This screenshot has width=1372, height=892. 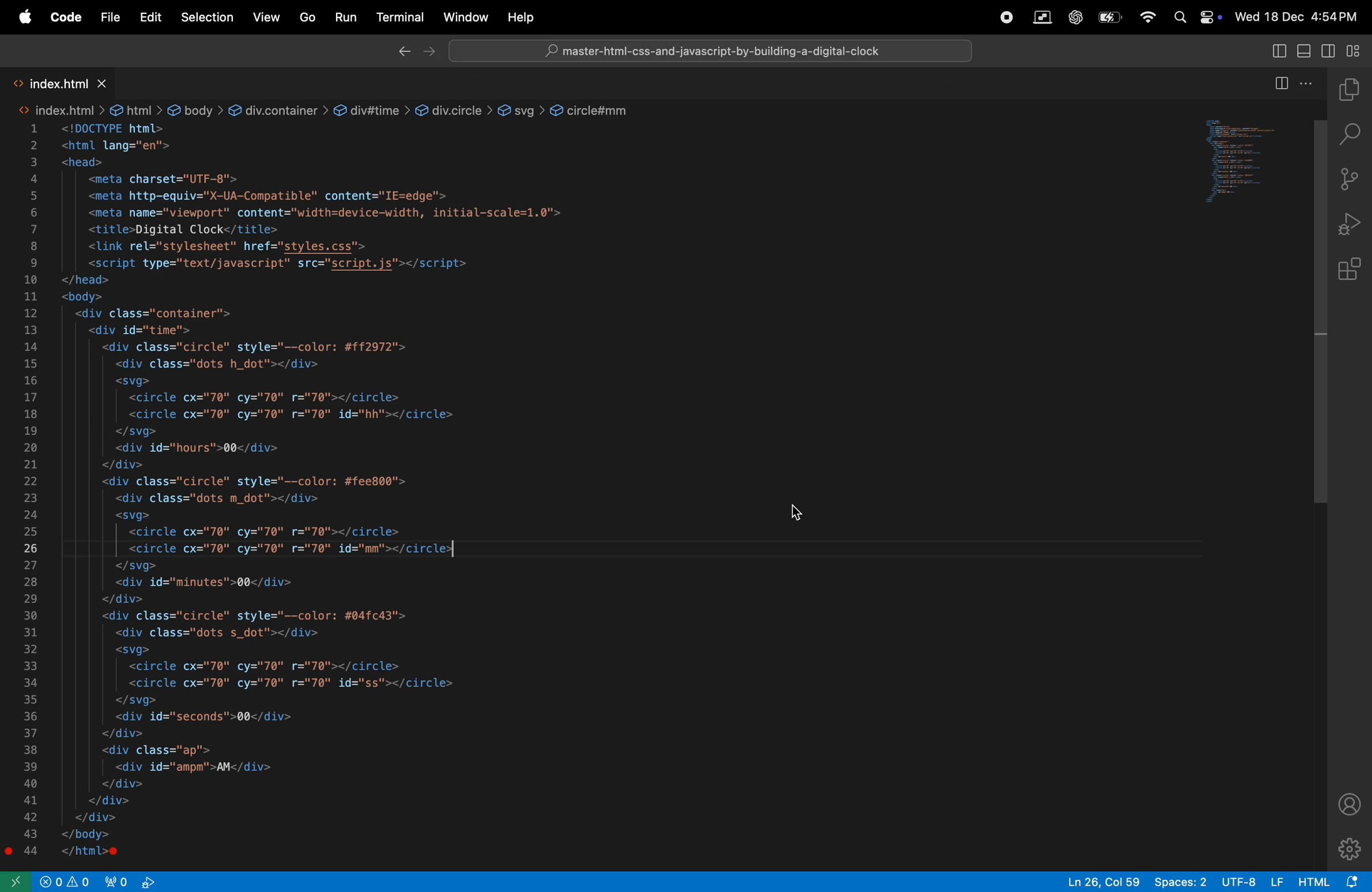 I want to click on run and debug, so click(x=1352, y=225).